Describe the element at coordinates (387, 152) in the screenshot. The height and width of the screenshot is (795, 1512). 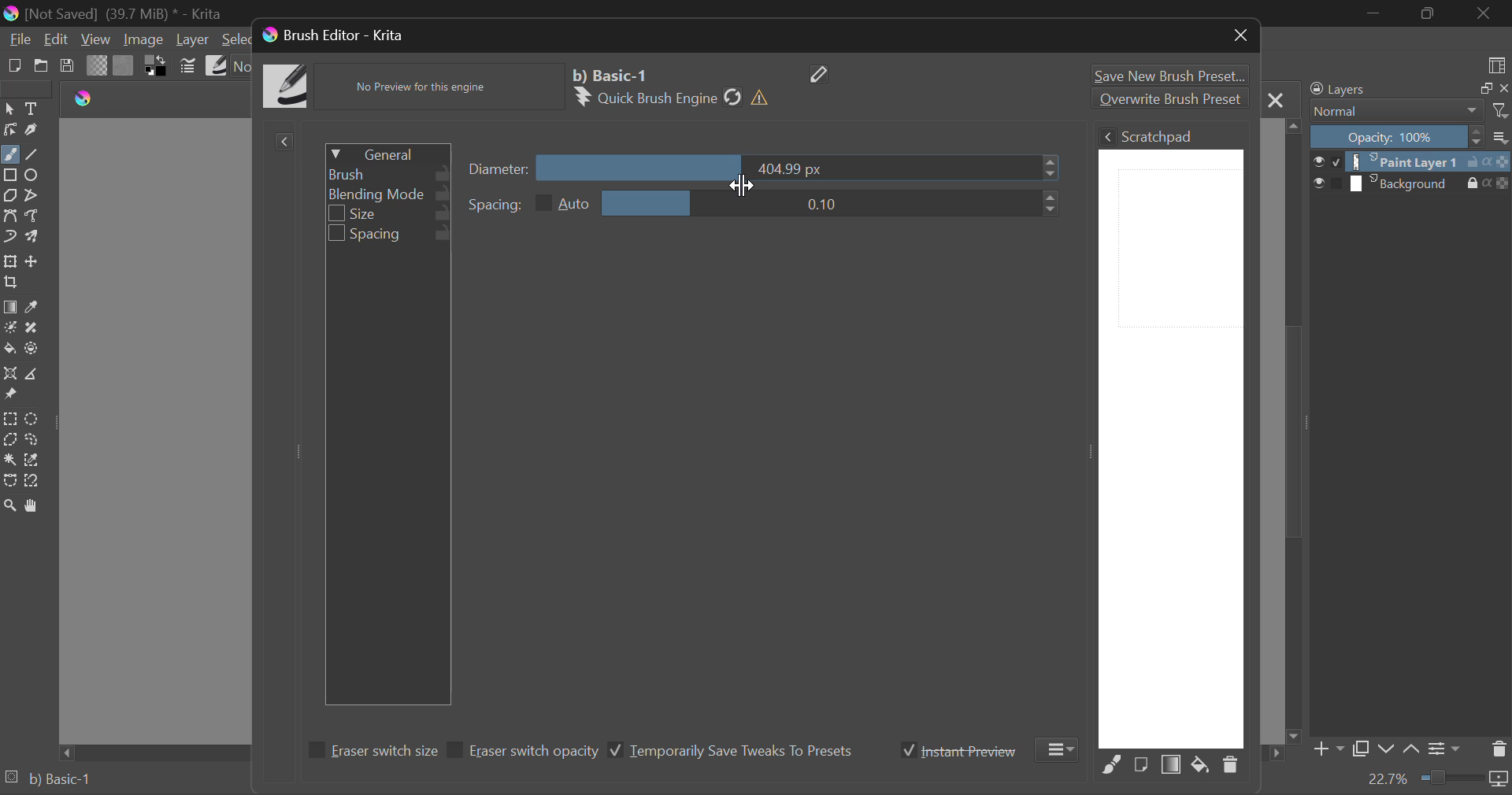
I see `General` at that location.